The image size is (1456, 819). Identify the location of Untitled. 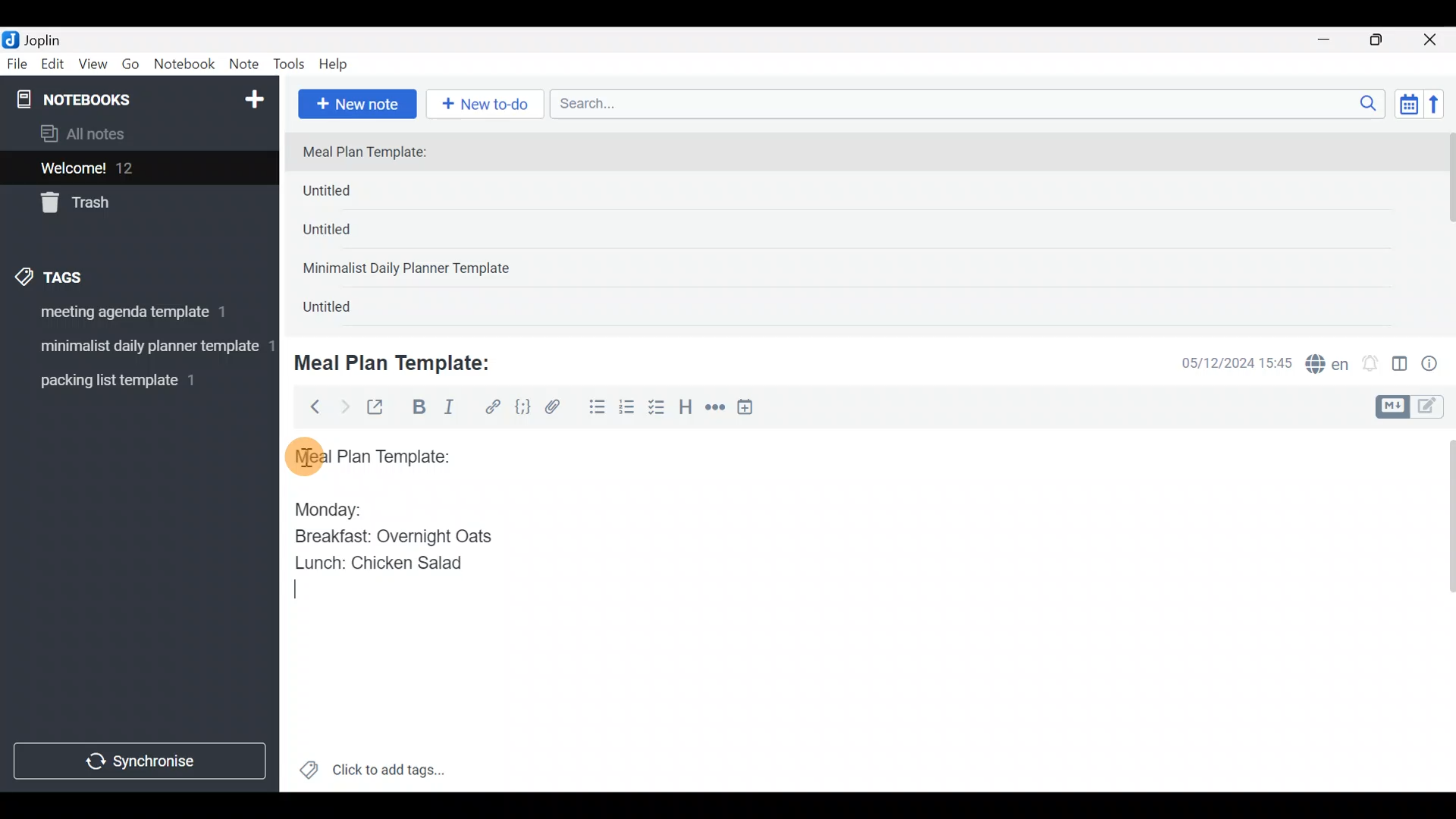
(352, 194).